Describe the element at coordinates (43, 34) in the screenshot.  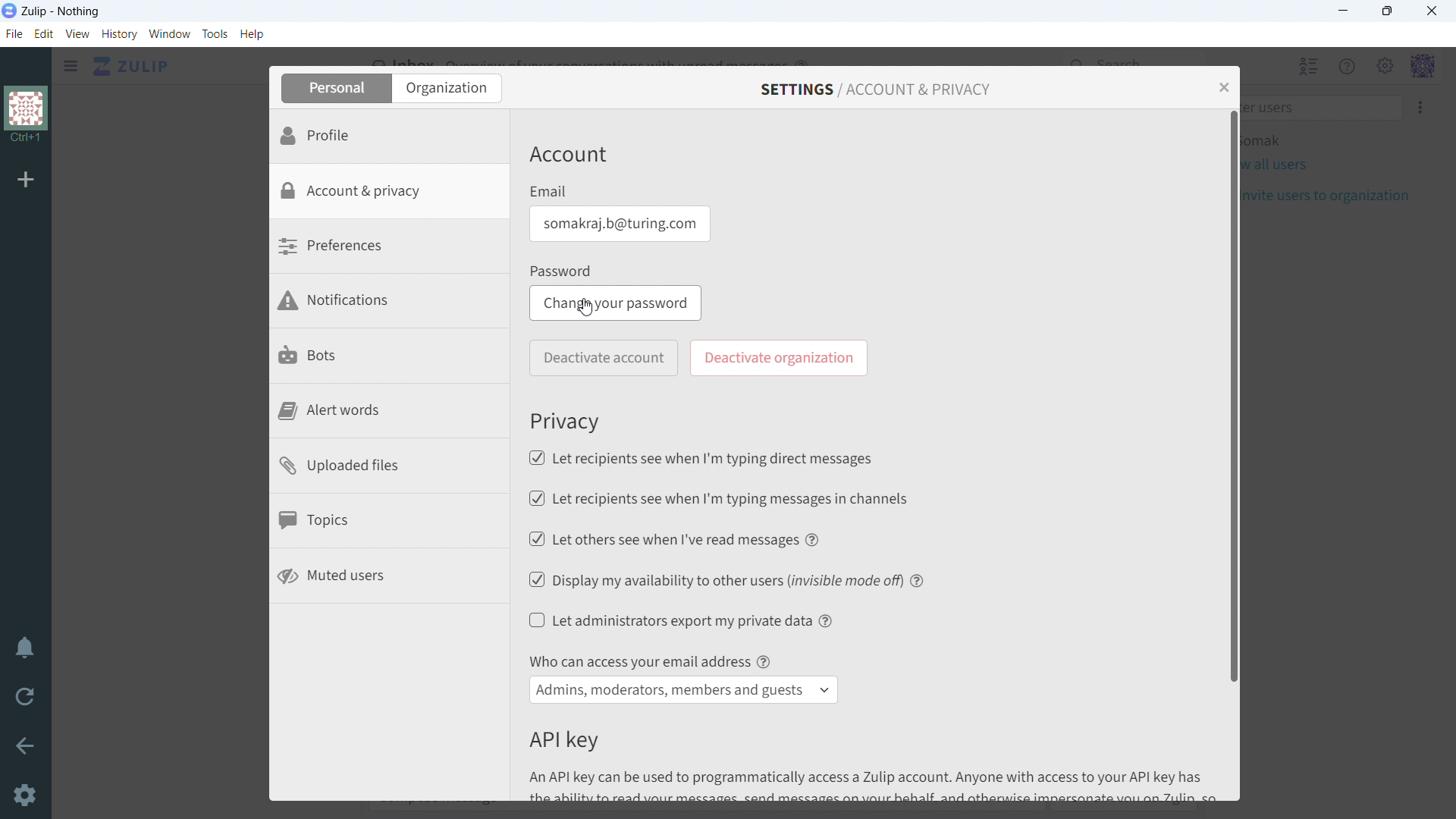
I see `edit` at that location.